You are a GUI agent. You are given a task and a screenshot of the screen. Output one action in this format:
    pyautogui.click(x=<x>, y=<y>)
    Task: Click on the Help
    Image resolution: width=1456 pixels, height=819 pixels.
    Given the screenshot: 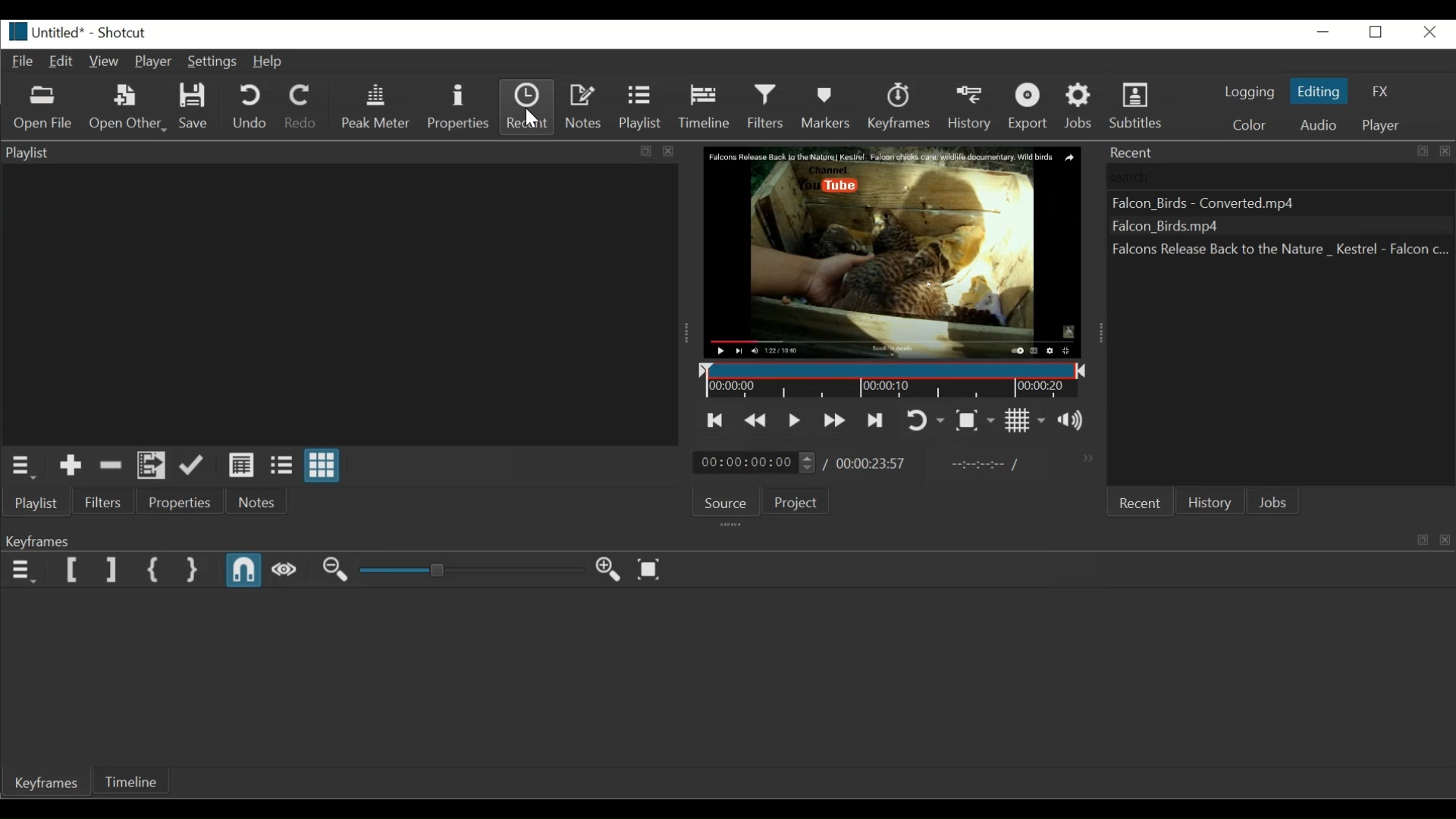 What is the action you would take?
    pyautogui.click(x=271, y=62)
    